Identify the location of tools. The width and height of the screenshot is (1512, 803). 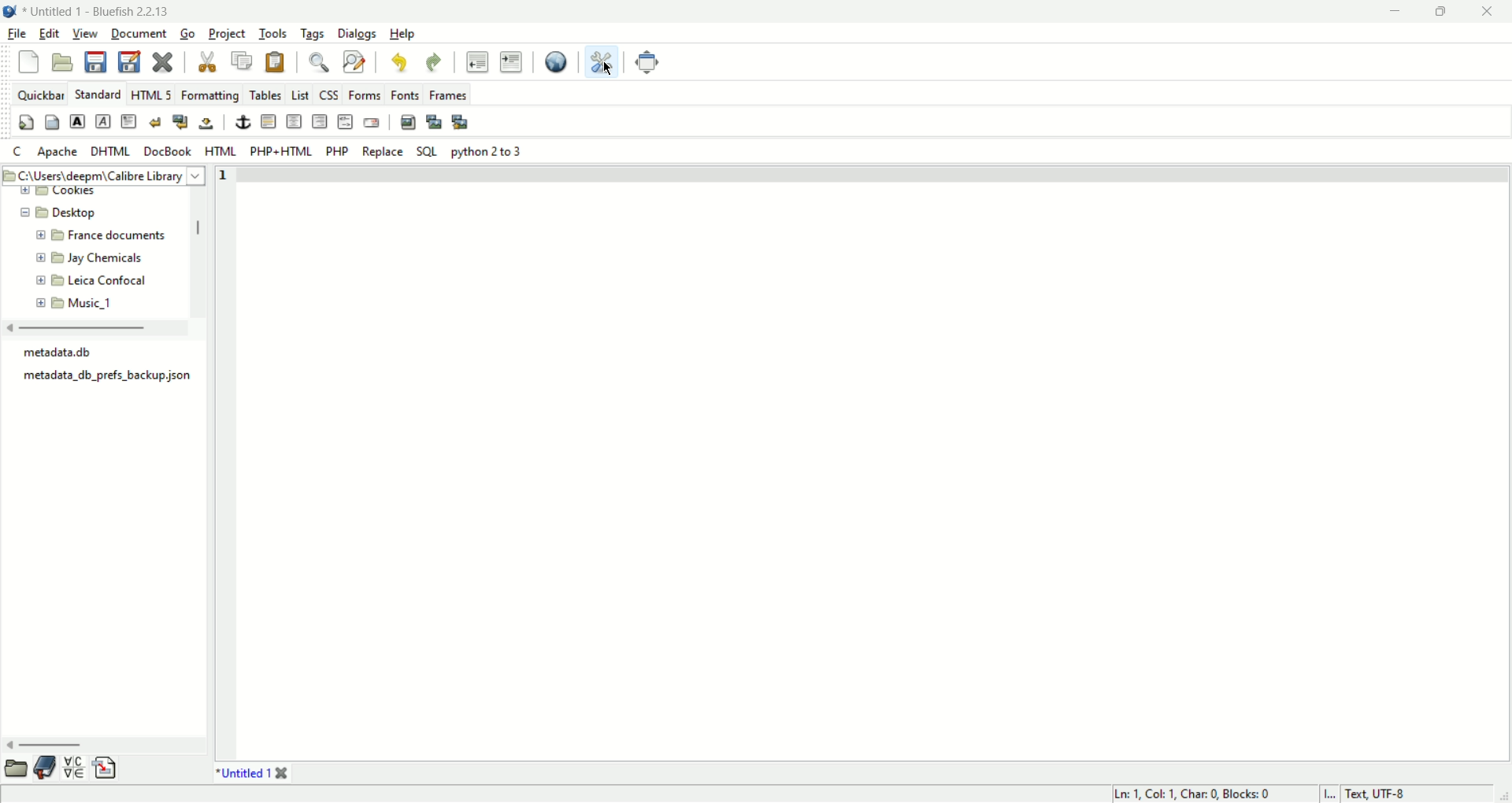
(273, 34).